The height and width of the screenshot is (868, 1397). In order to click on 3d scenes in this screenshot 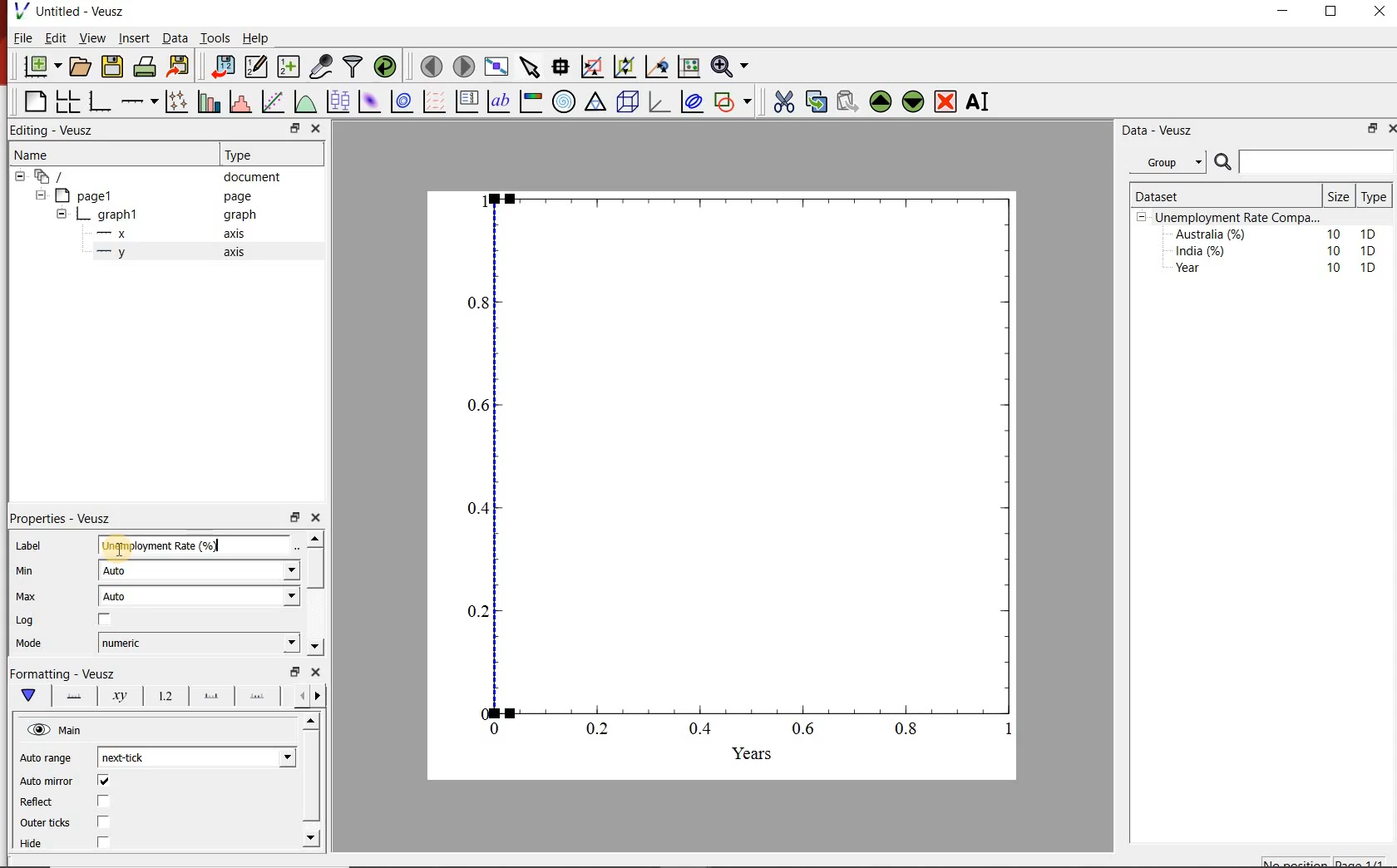, I will do `click(625, 101)`.